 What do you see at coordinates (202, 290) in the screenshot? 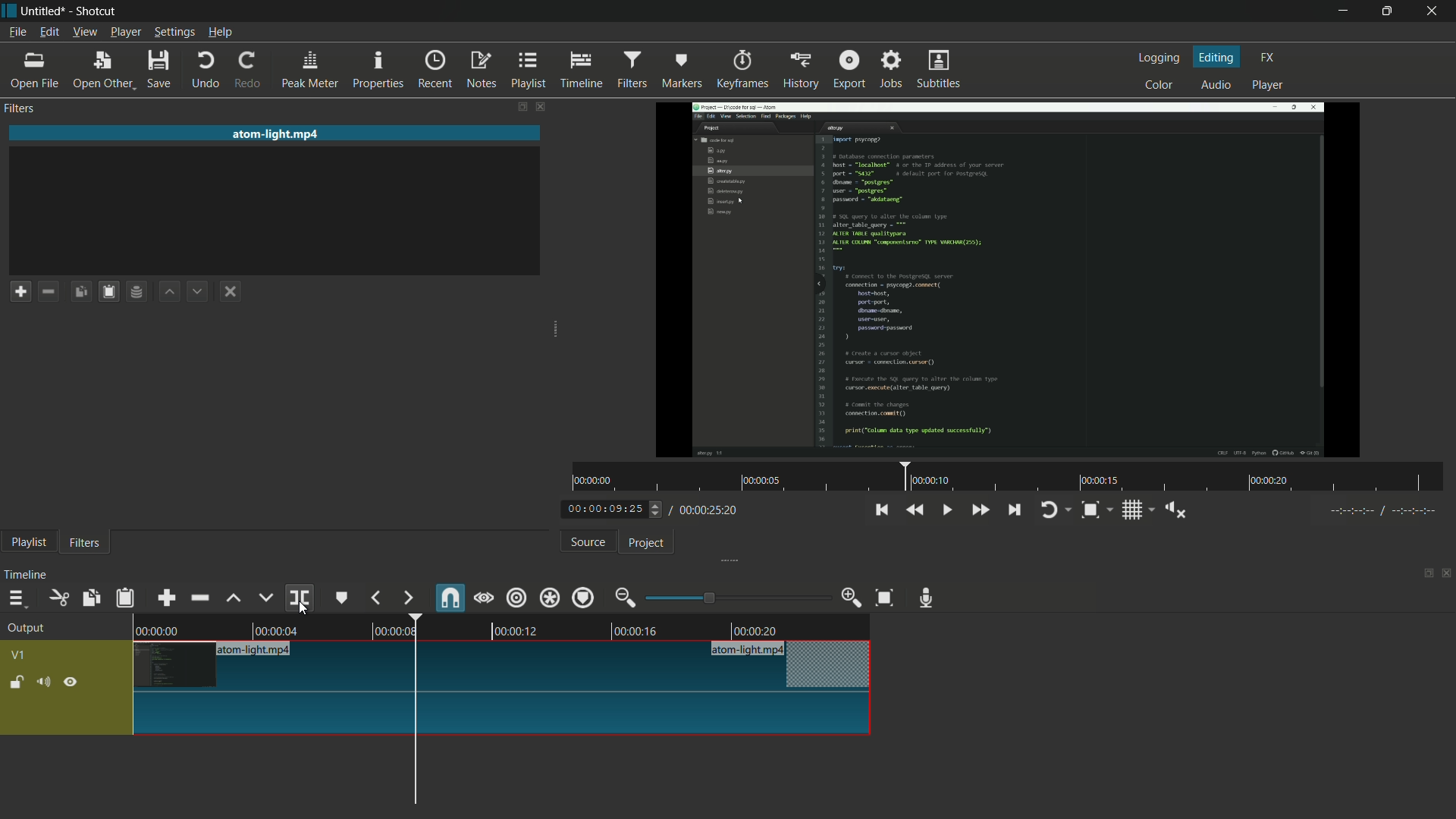
I see `move filter down` at bounding box center [202, 290].